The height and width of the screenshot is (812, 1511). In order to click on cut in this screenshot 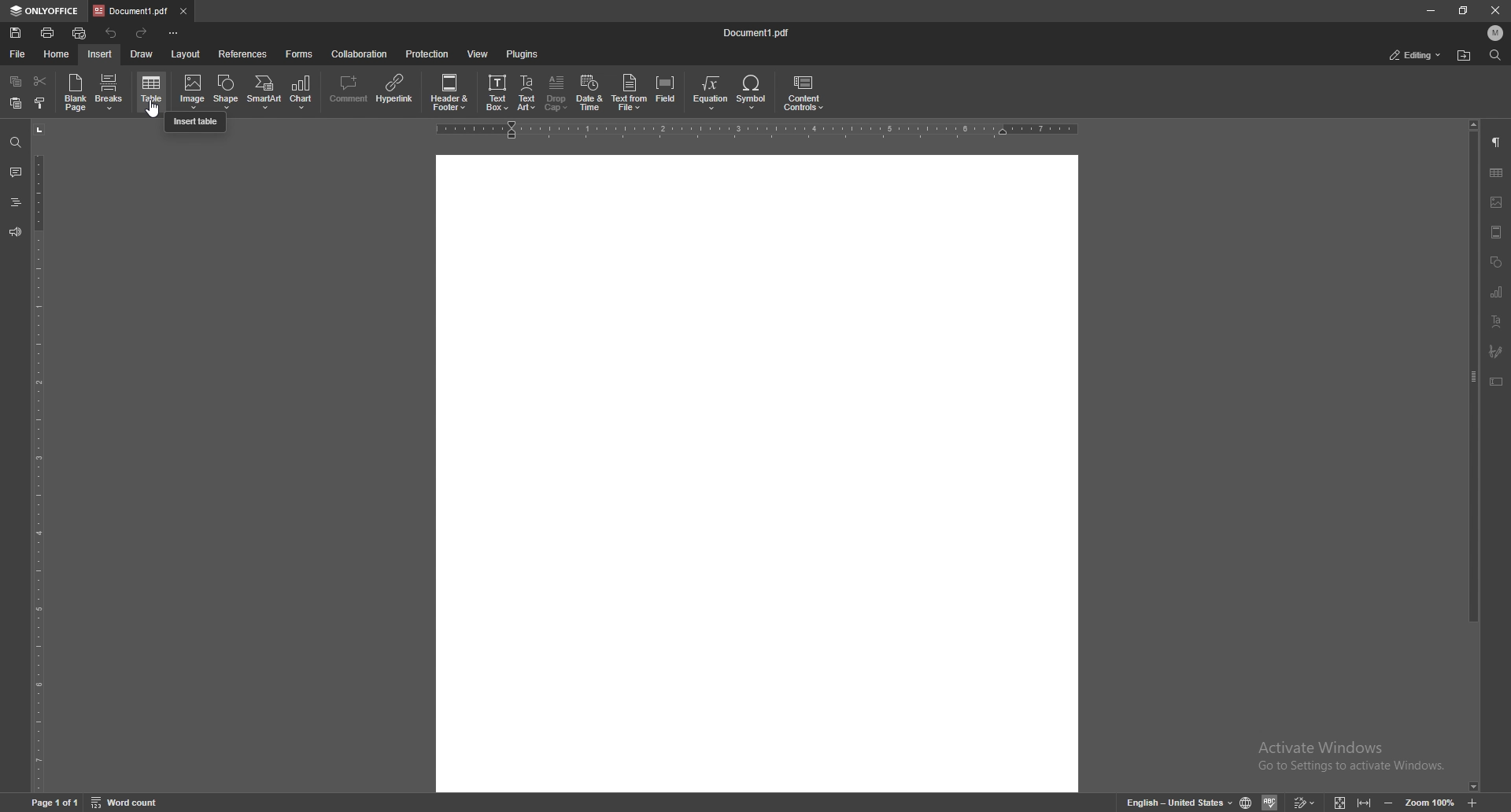, I will do `click(39, 80)`.